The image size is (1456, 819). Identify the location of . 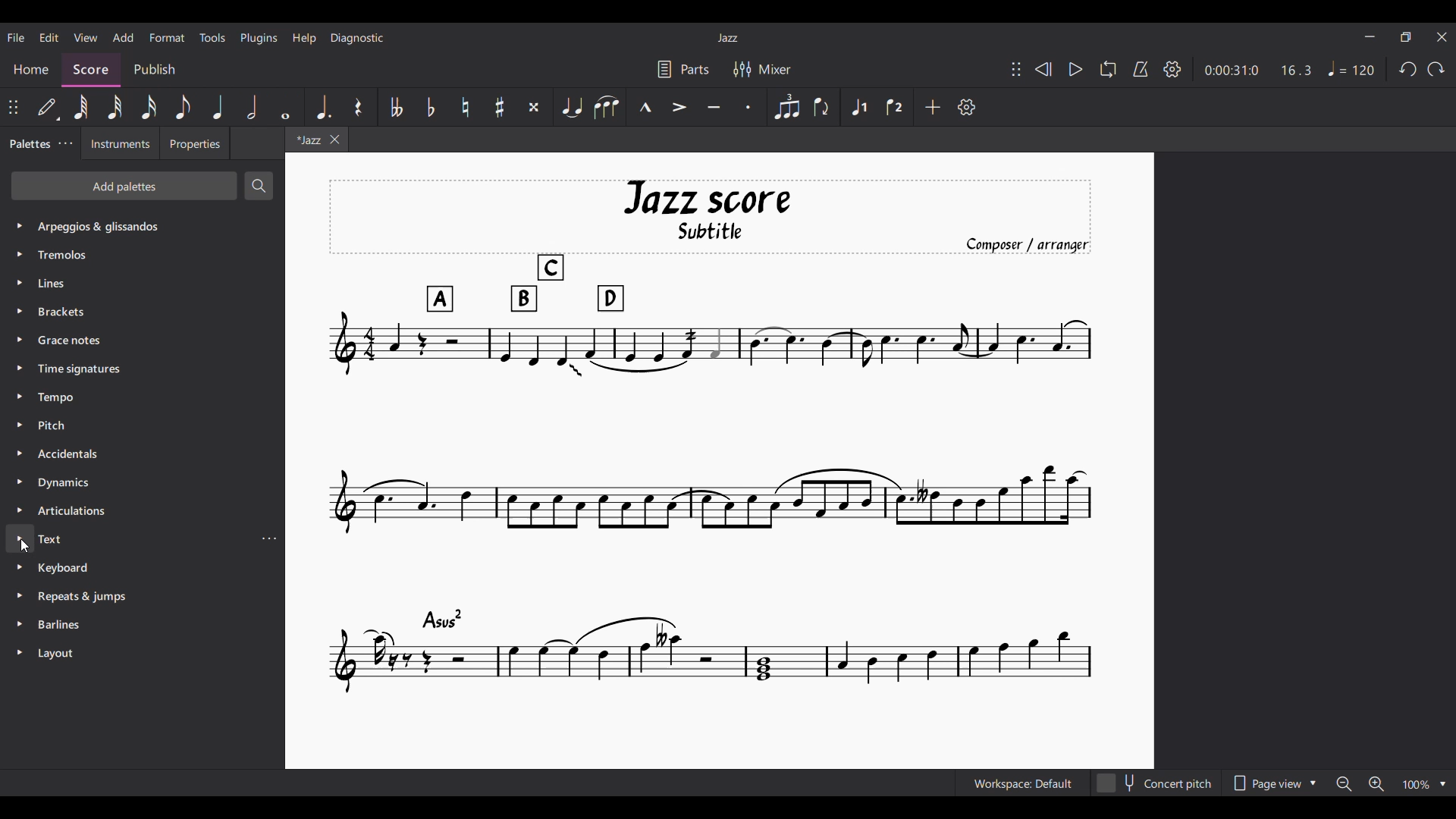
(83, 369).